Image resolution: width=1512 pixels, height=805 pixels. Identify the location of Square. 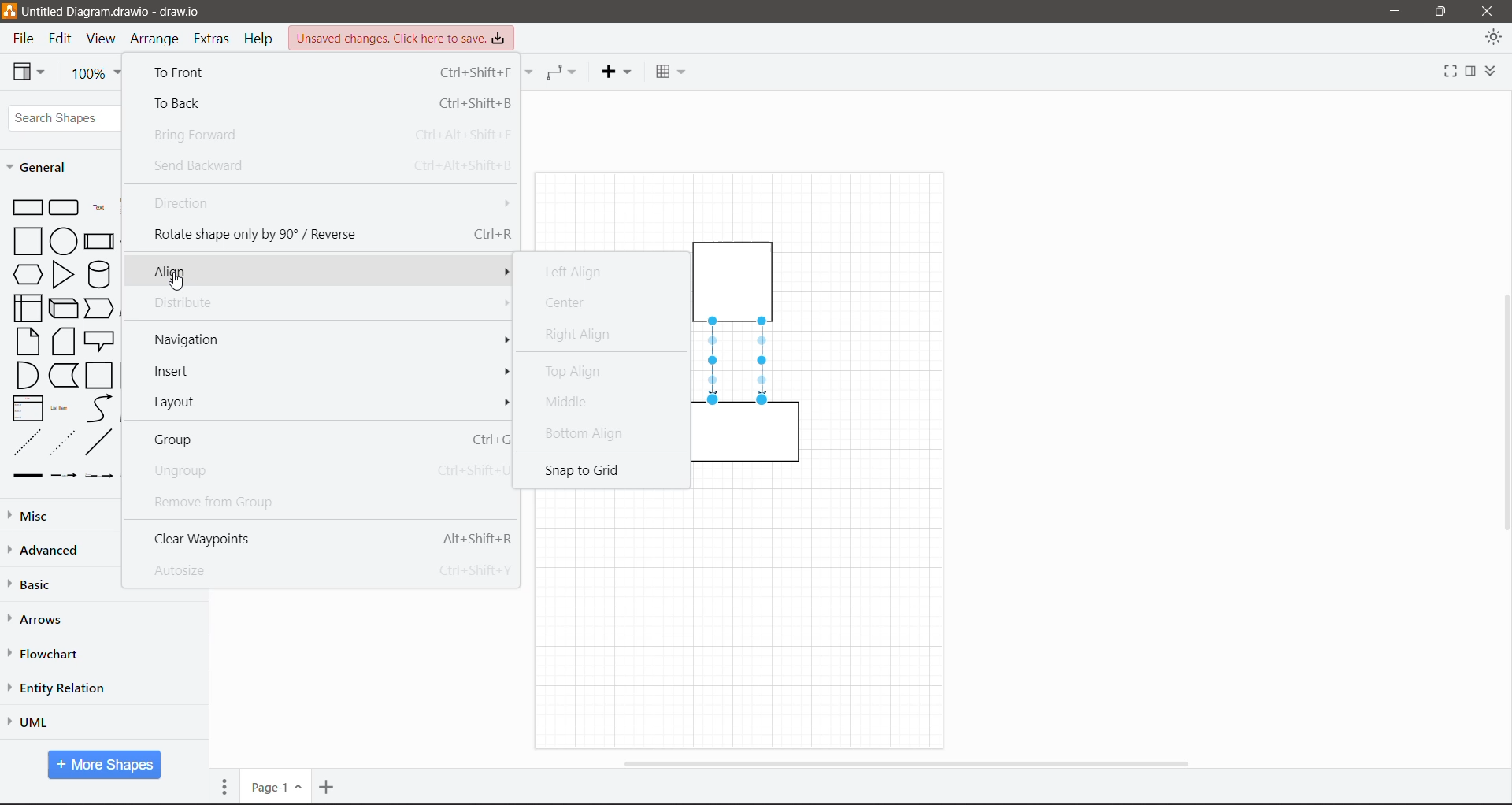
(26, 240).